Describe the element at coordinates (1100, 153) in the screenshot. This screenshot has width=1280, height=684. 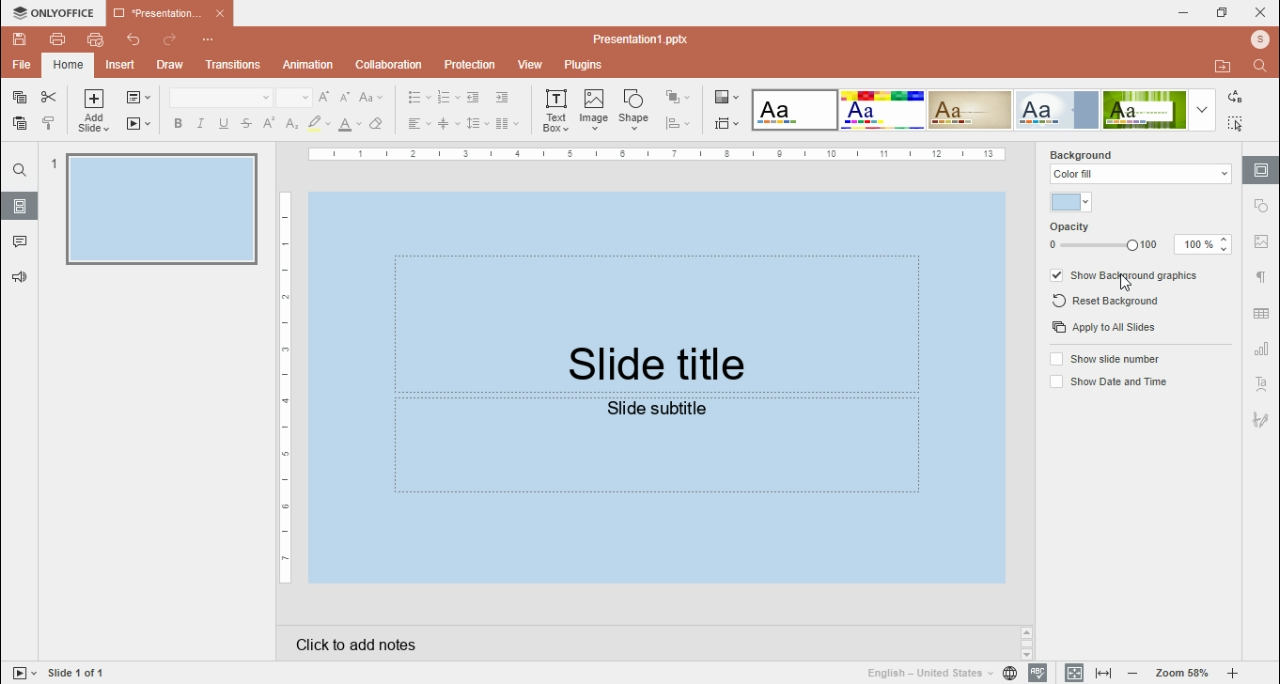
I see `Background` at that location.